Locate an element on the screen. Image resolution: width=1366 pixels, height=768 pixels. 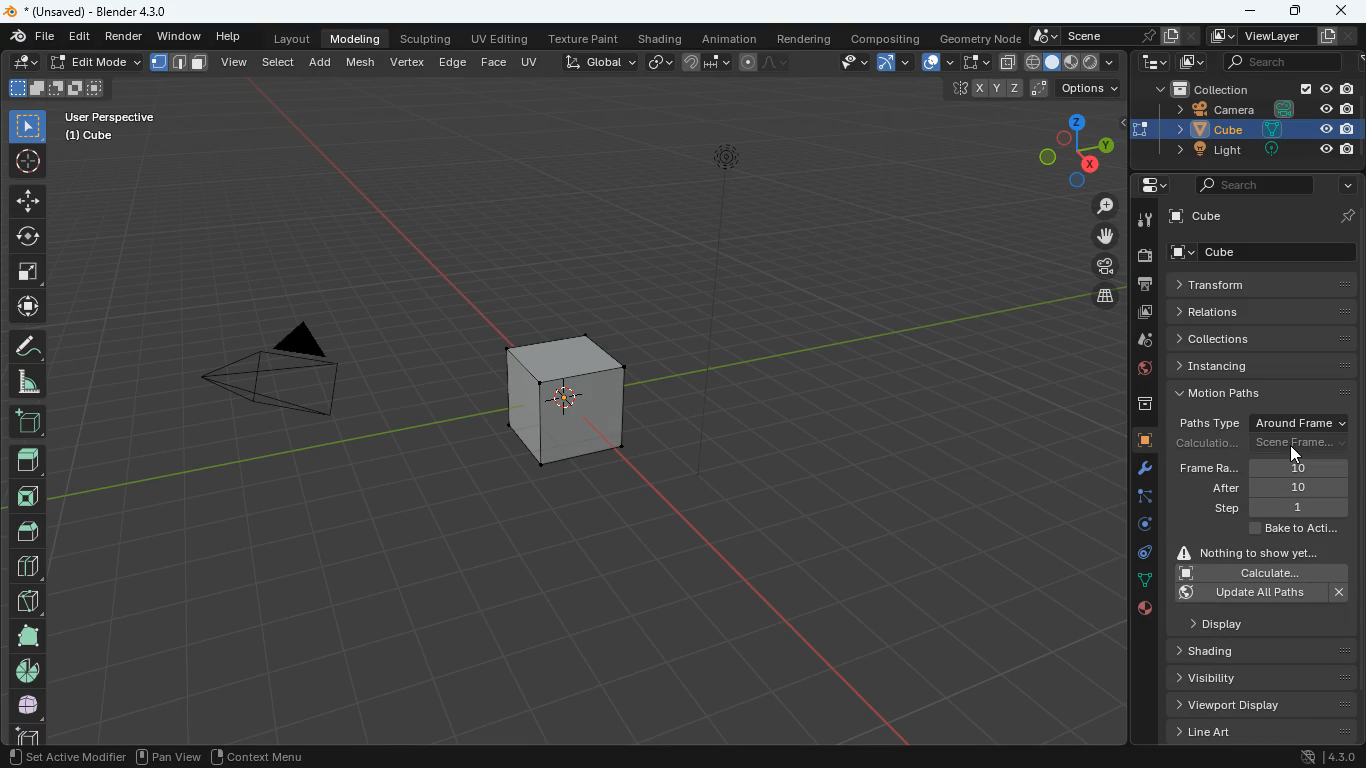
front is located at coordinates (31, 492).